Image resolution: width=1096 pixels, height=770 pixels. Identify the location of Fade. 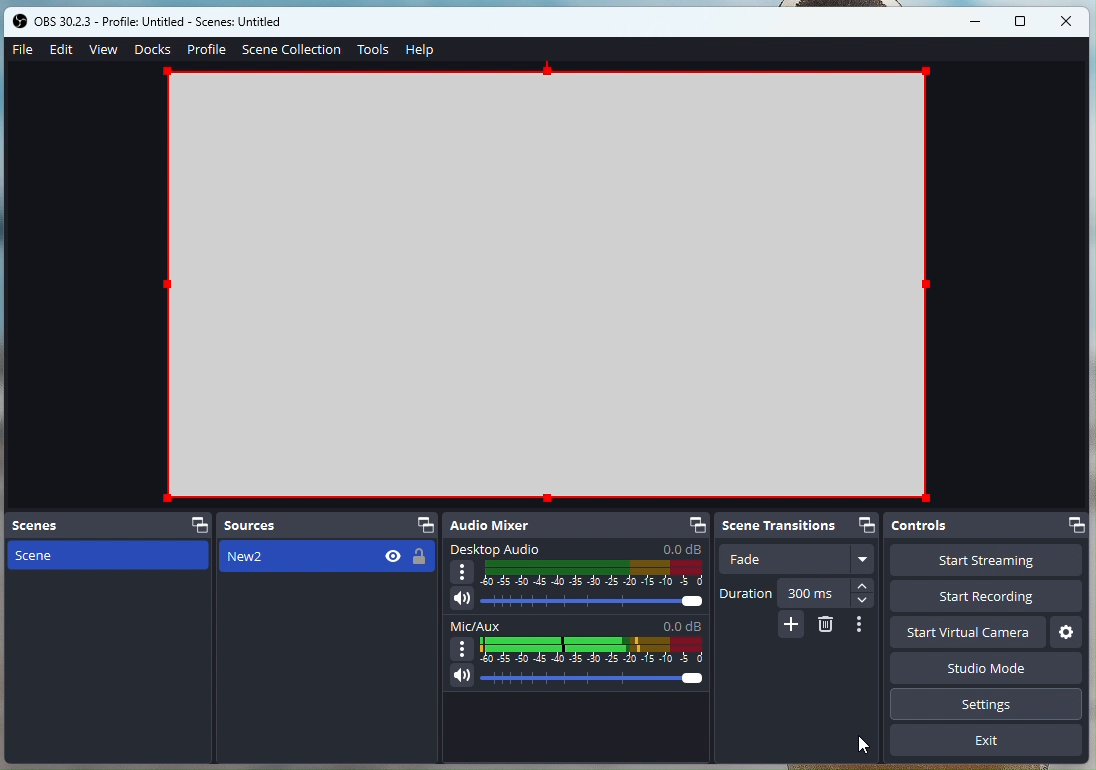
(786, 559).